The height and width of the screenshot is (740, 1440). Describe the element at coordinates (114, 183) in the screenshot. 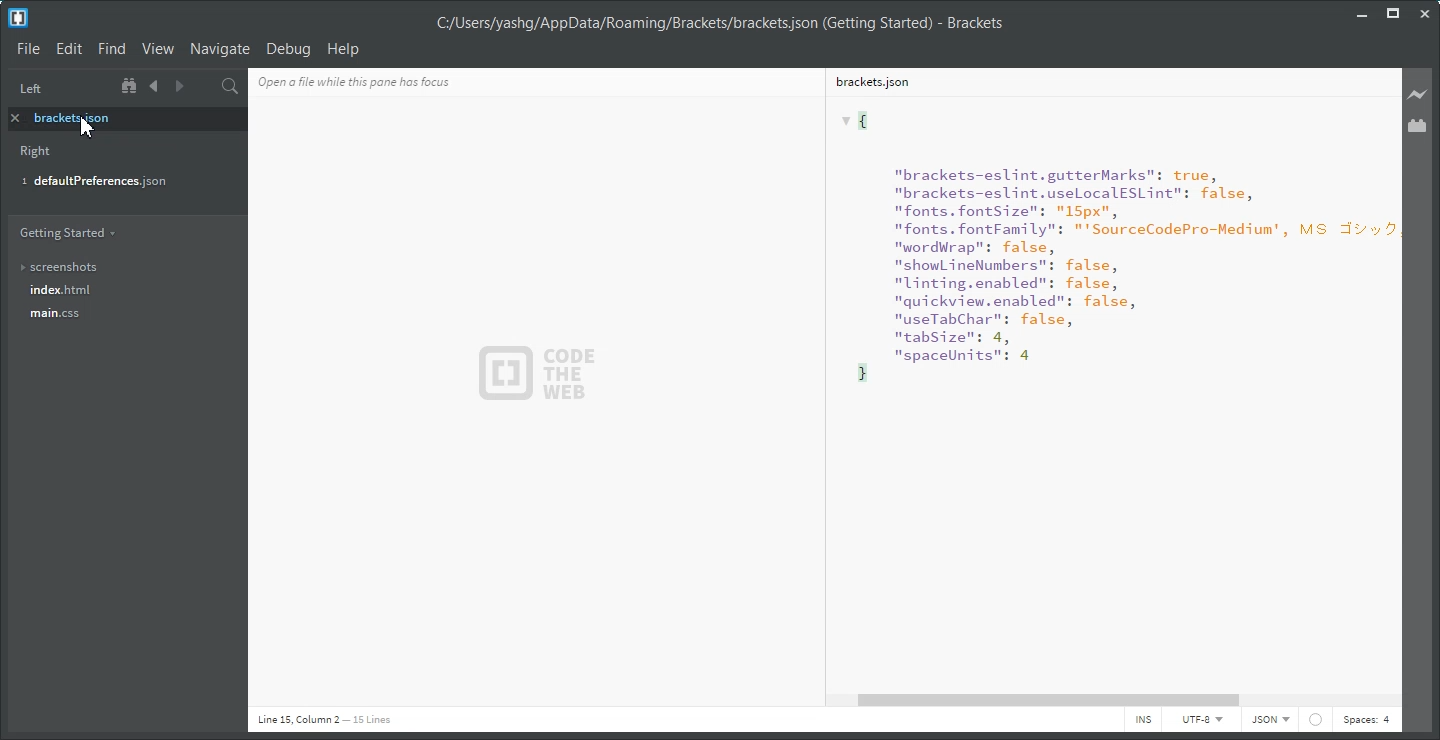

I see `defaultpreferences.json` at that location.